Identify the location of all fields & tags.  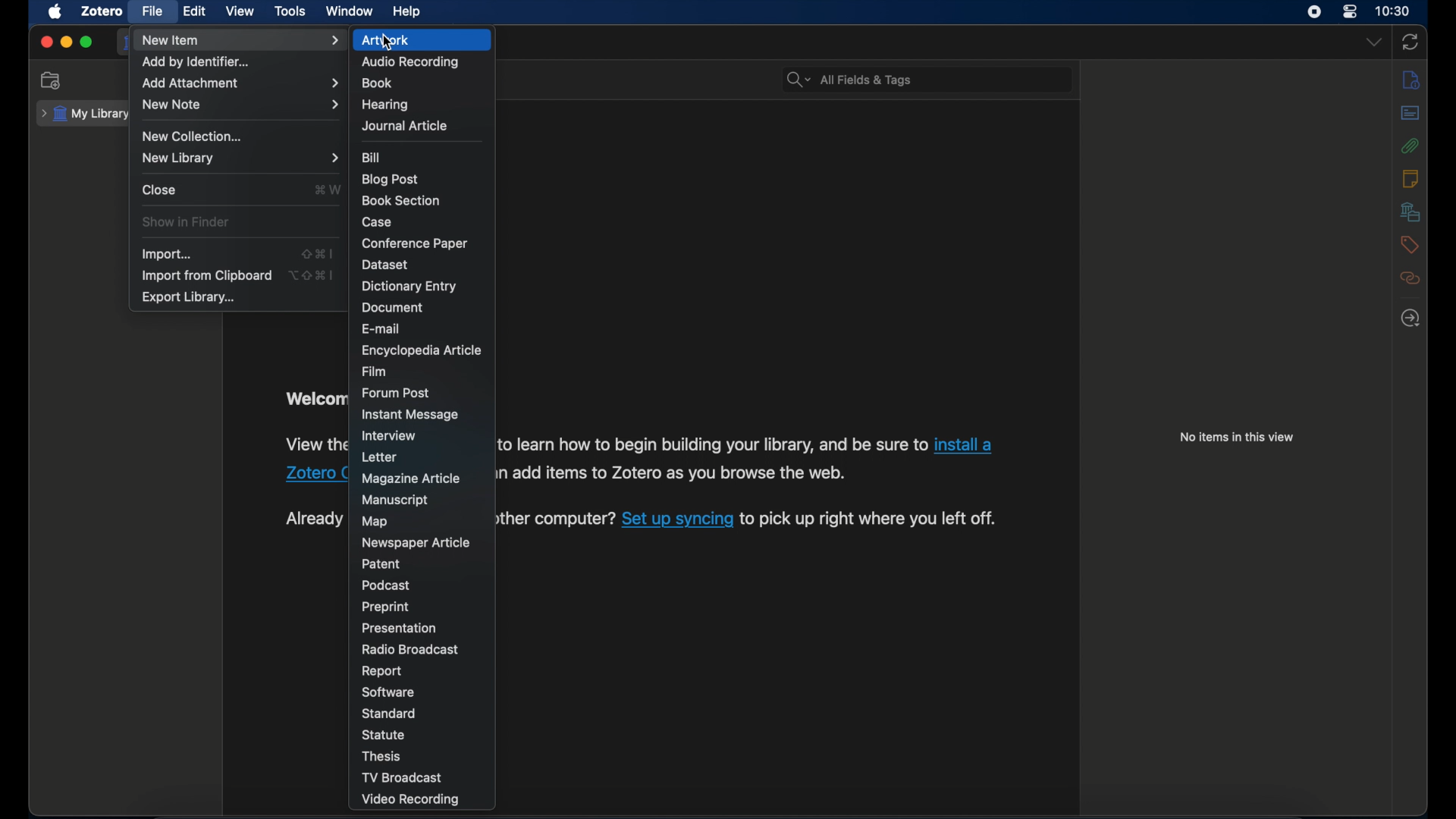
(849, 79).